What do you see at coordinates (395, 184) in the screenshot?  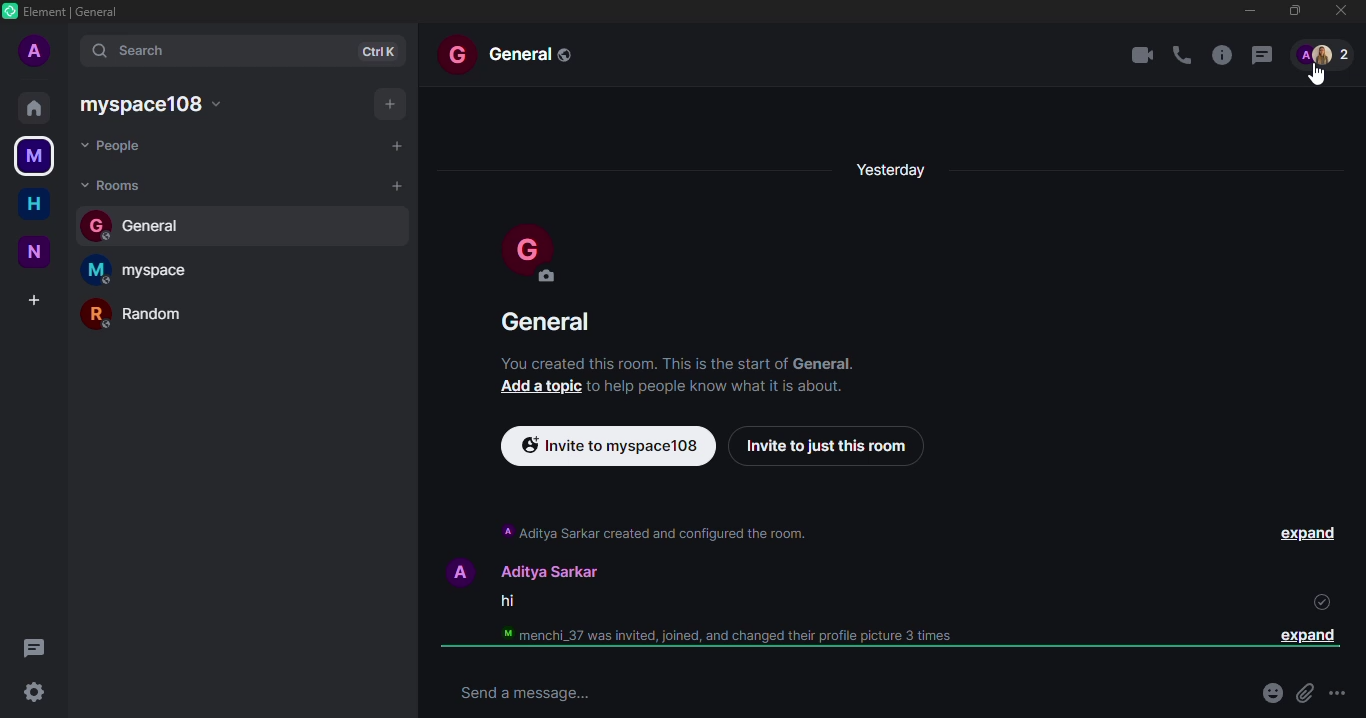 I see `add` at bounding box center [395, 184].